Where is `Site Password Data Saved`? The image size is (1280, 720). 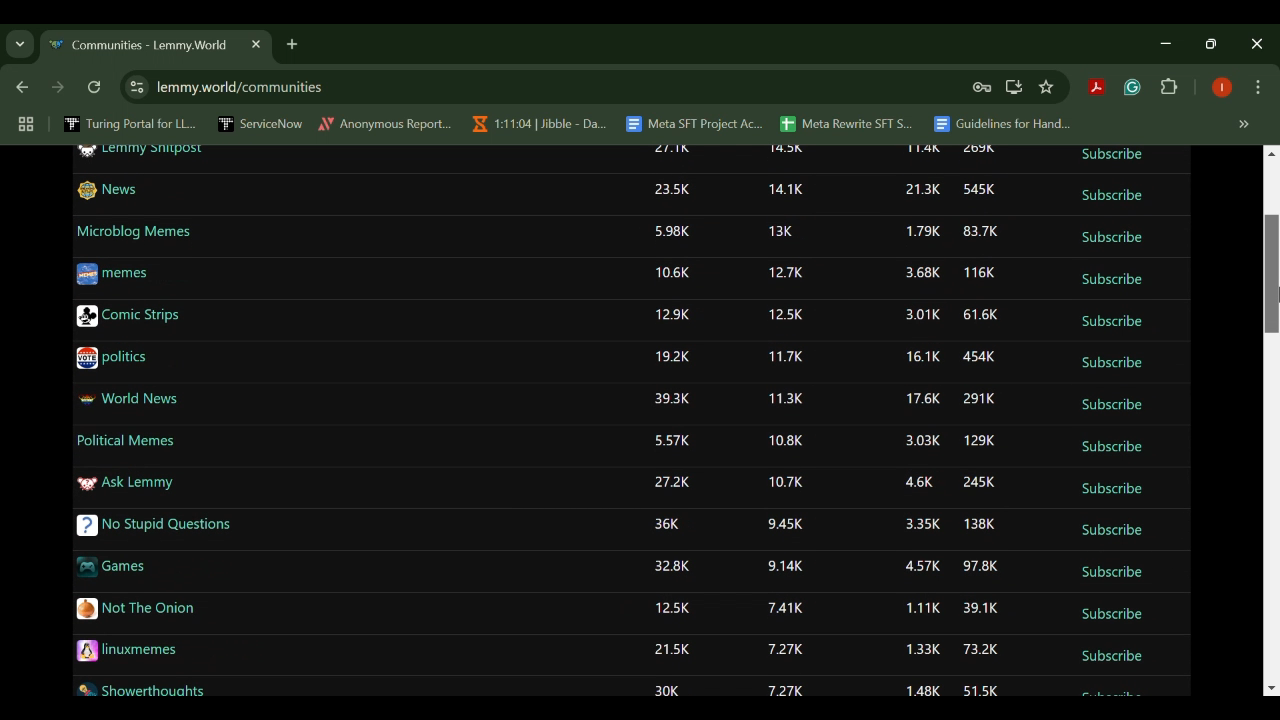 Site Password Data Saved is located at coordinates (982, 88).